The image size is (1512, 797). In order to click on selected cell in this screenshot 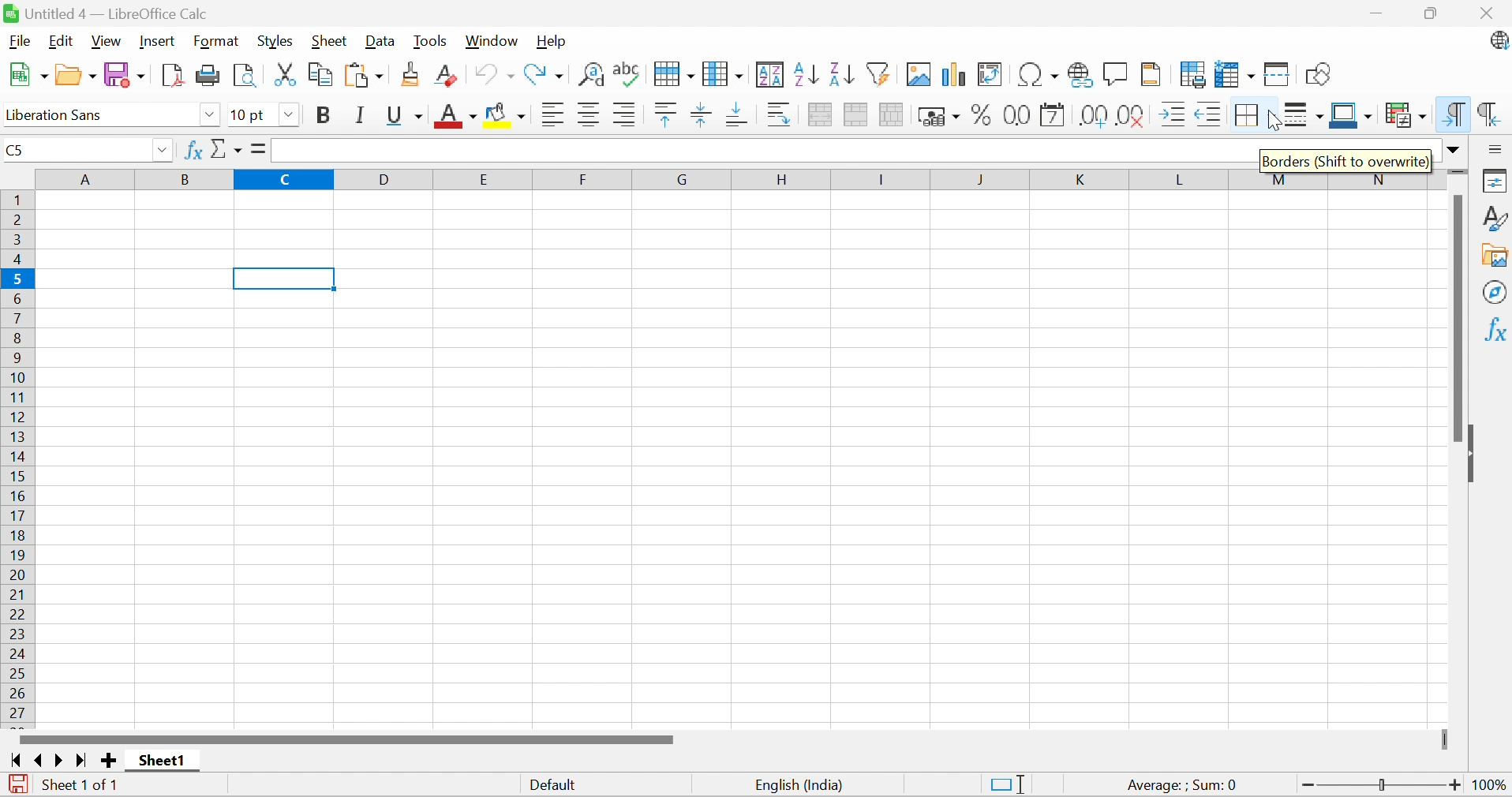, I will do `click(285, 279)`.